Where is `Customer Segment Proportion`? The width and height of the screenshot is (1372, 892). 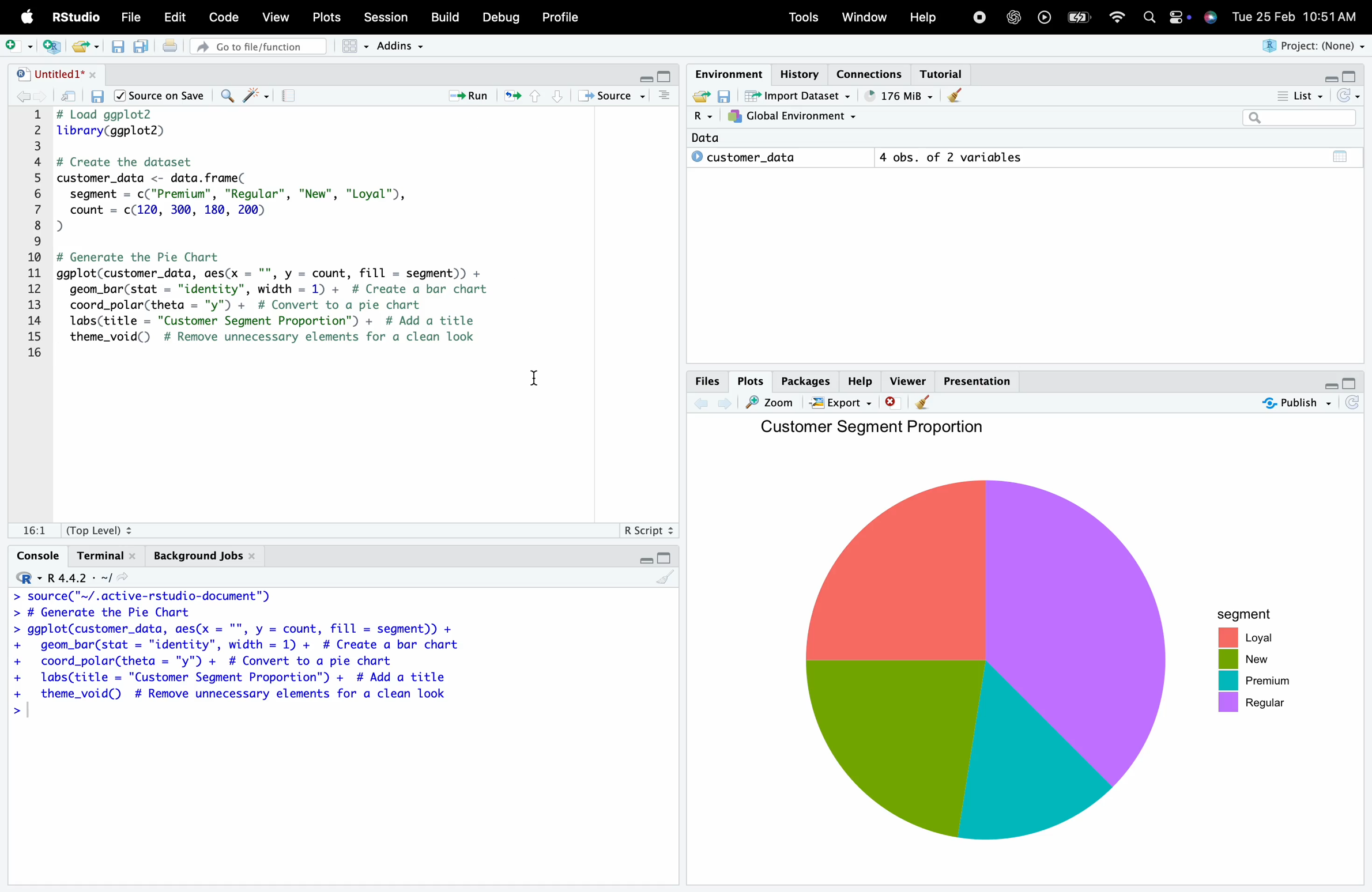 Customer Segment Proportion is located at coordinates (875, 430).